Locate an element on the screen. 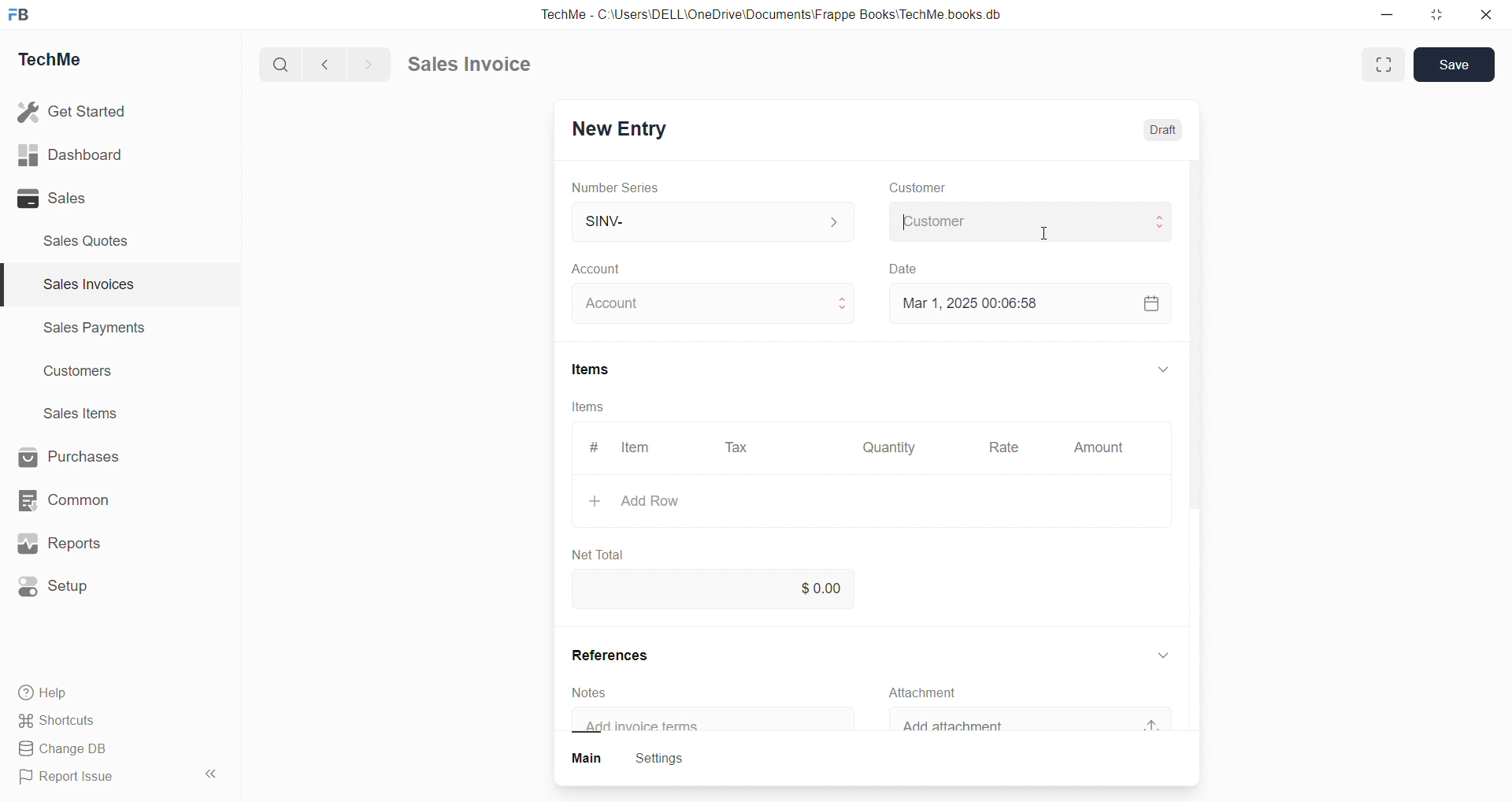 This screenshot has height=802, width=1512. Notes is located at coordinates (598, 692).